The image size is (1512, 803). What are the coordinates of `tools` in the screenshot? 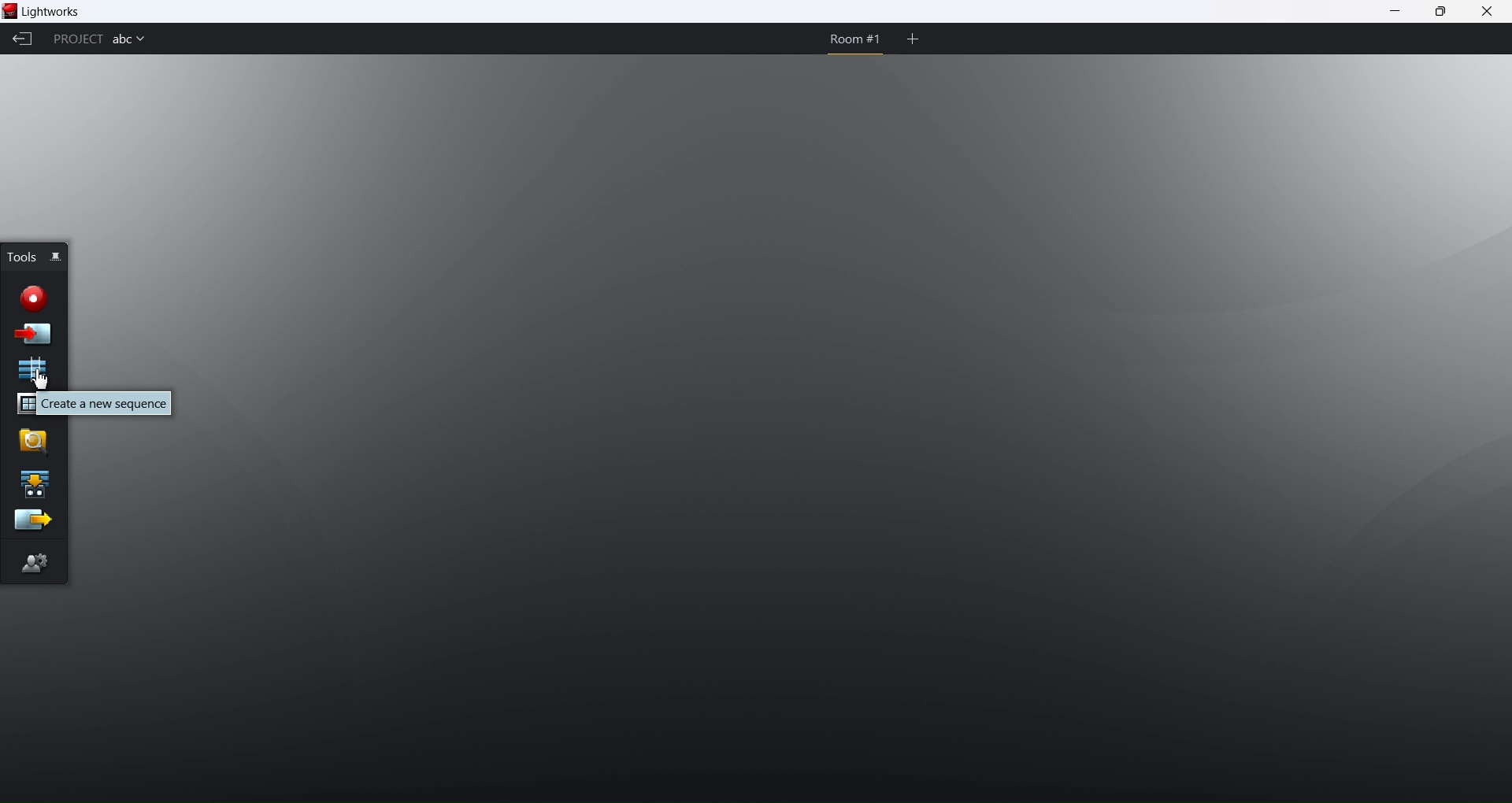 It's located at (19, 255).